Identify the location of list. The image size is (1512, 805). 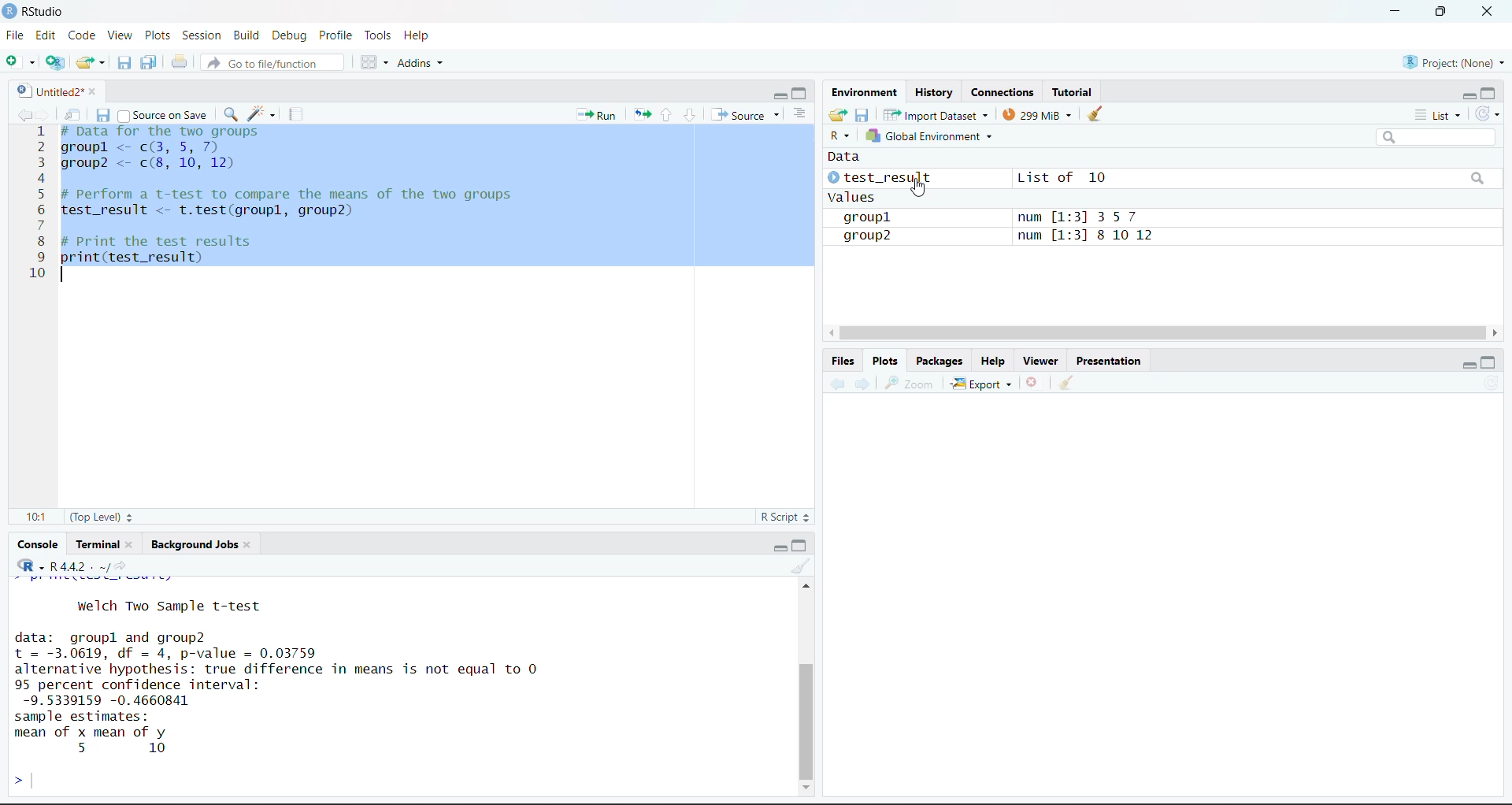
(1441, 116).